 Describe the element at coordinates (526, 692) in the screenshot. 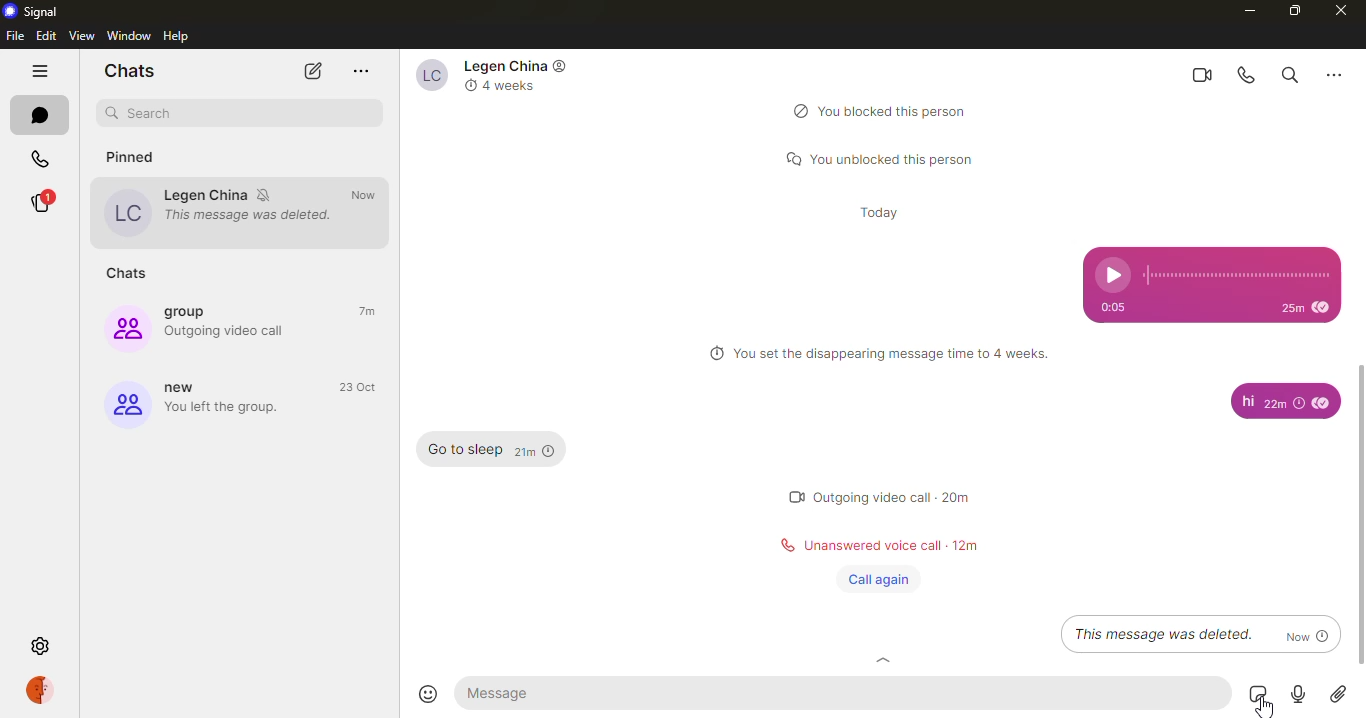

I see `message` at that location.